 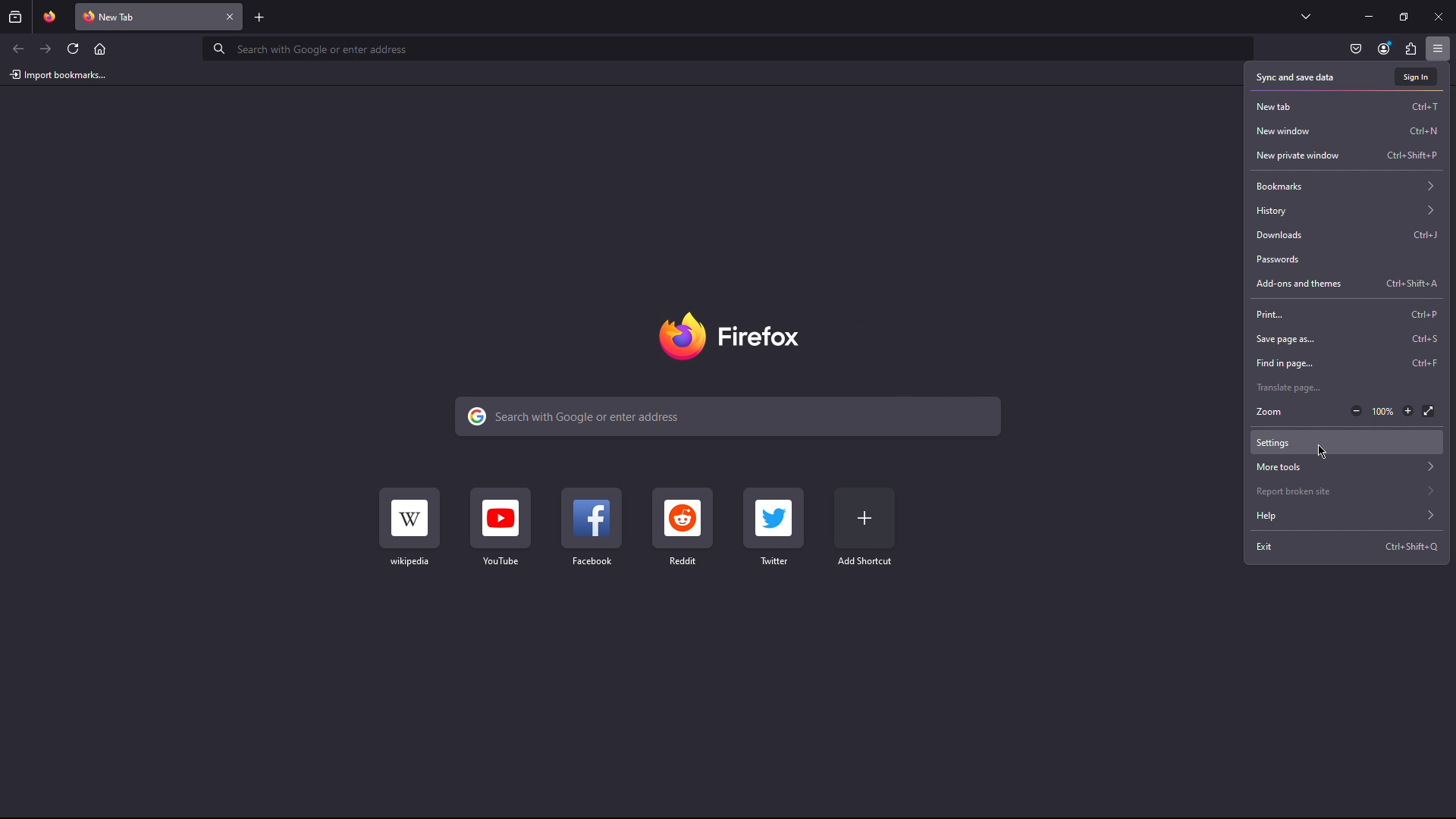 I want to click on Search bar, so click(x=727, y=416).